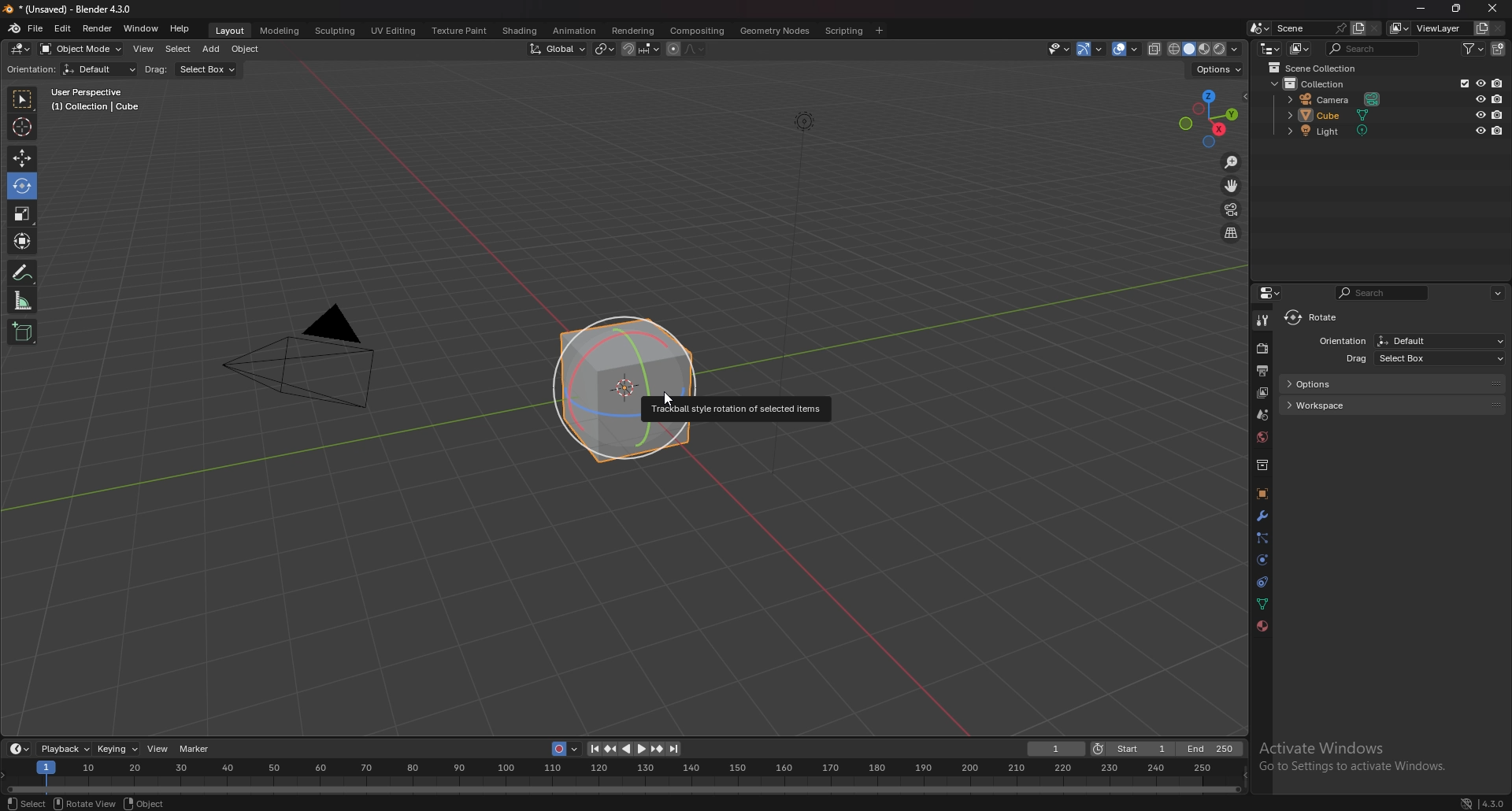 This screenshot has width=1512, height=811. What do you see at coordinates (198, 750) in the screenshot?
I see `marker` at bounding box center [198, 750].